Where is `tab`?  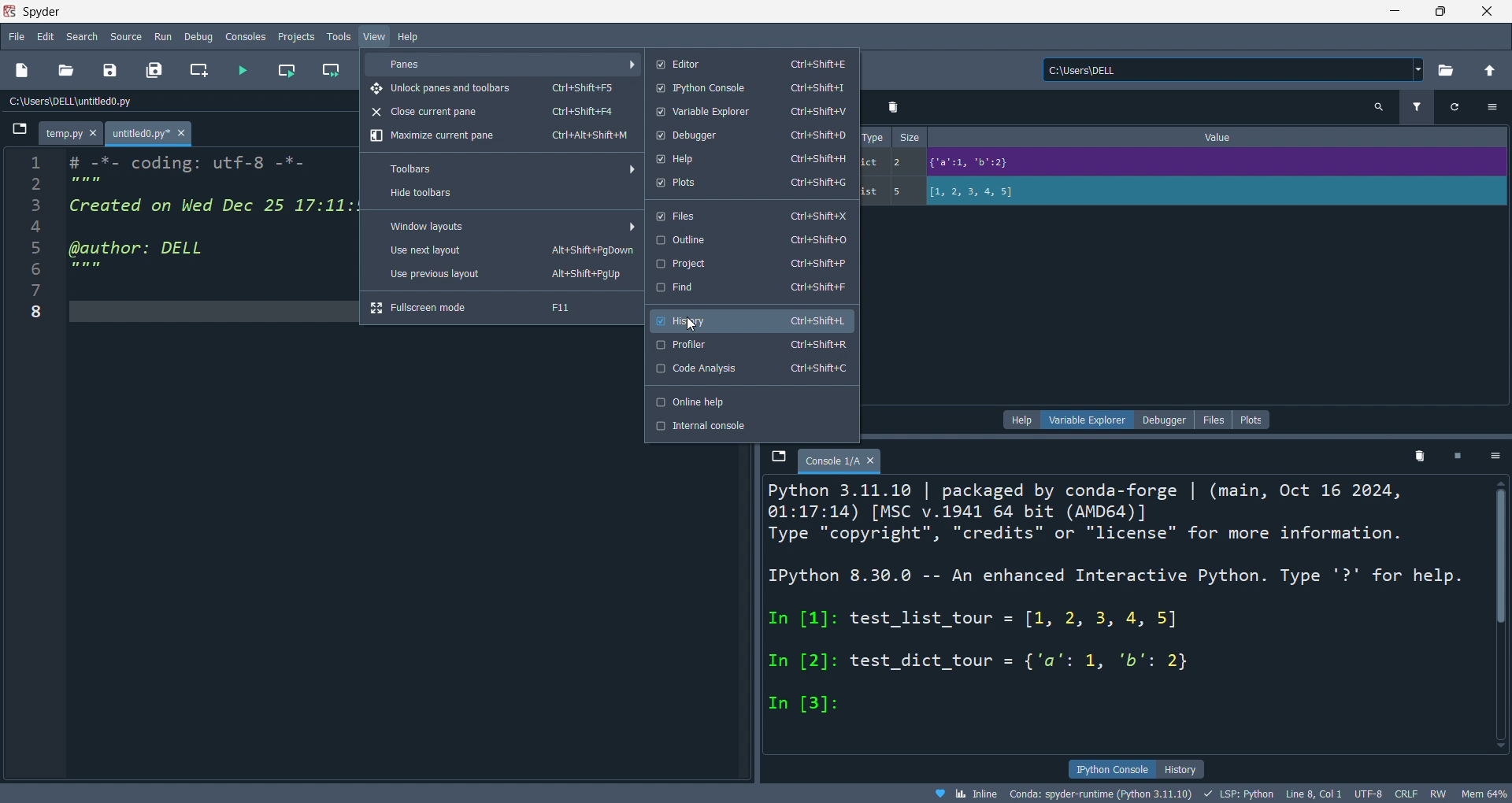
tab is located at coordinates (840, 461).